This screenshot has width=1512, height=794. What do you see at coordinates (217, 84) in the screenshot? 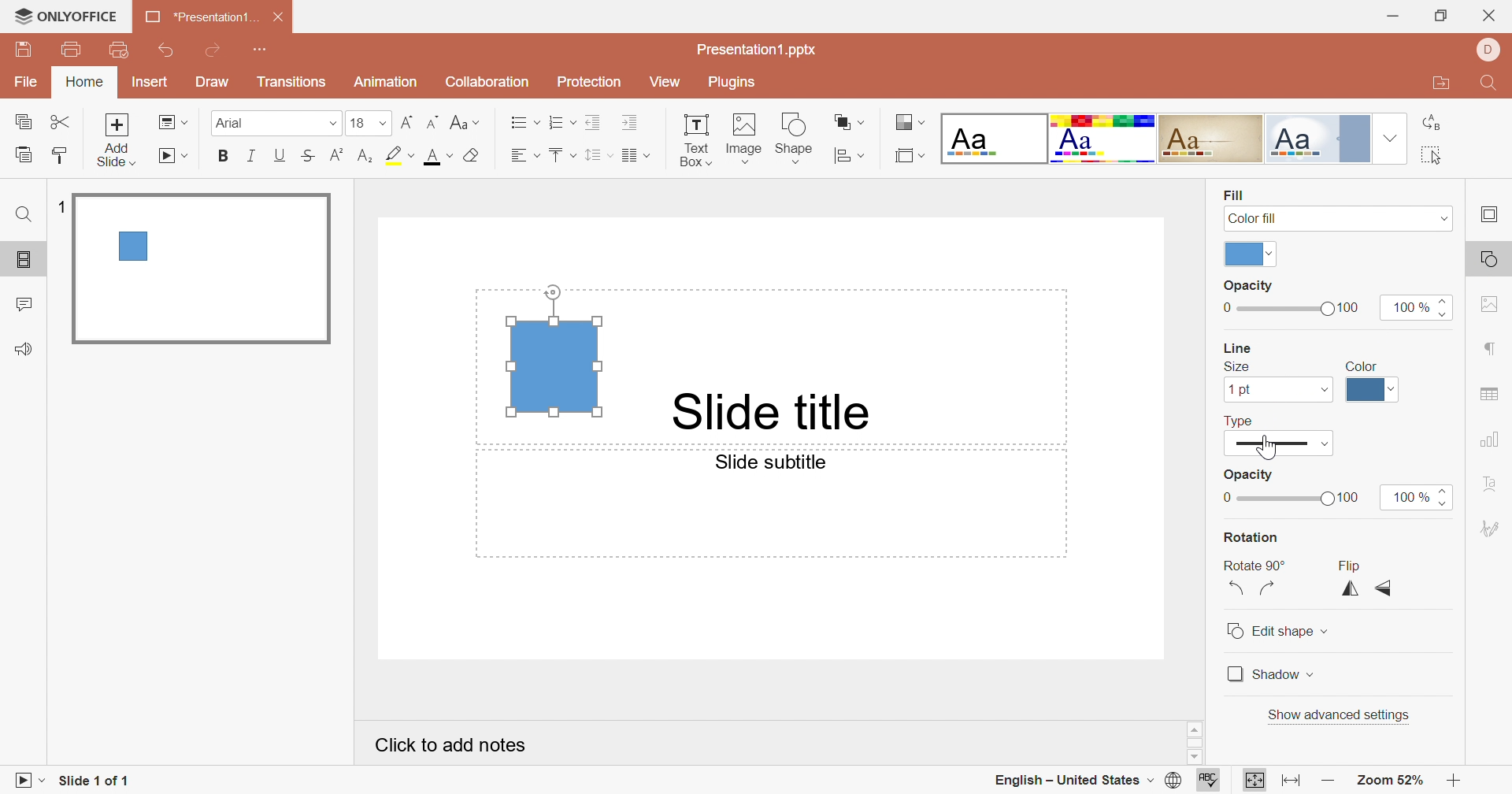
I see `Draw` at bounding box center [217, 84].